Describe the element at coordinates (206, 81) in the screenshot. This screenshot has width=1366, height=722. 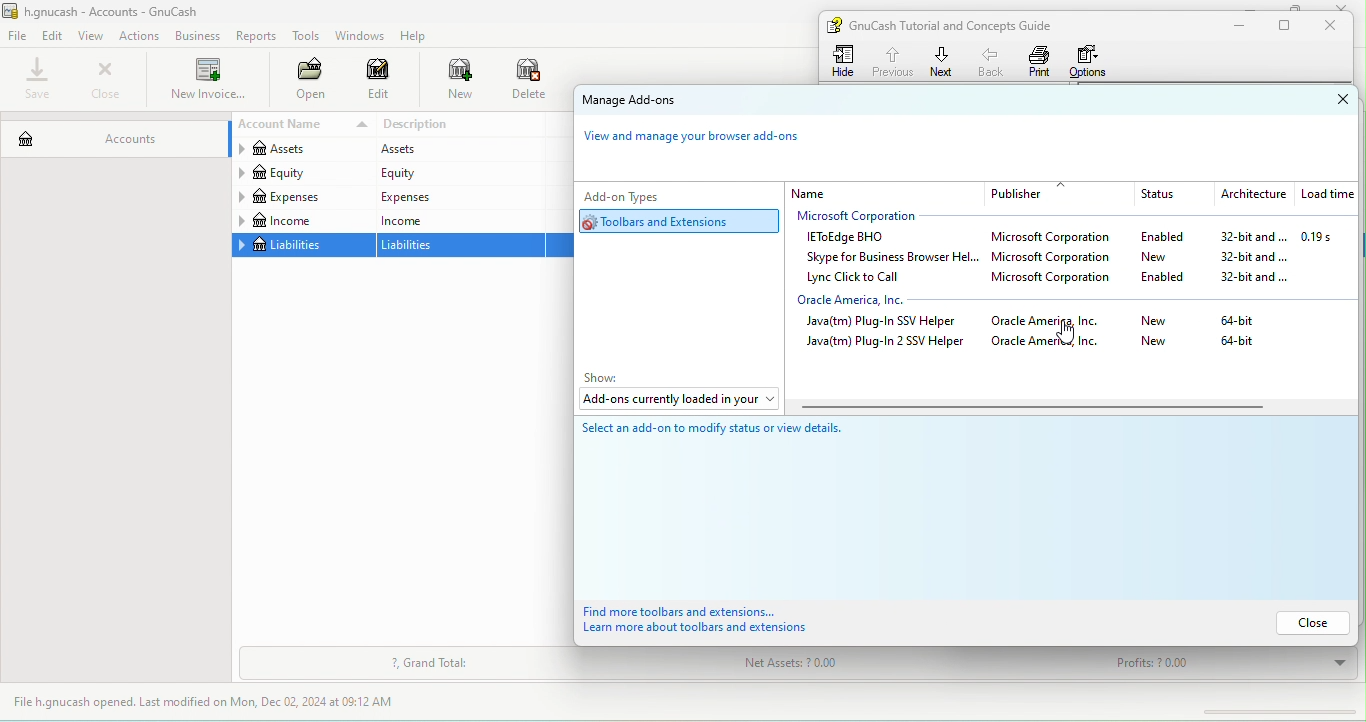
I see `new invoice` at that location.